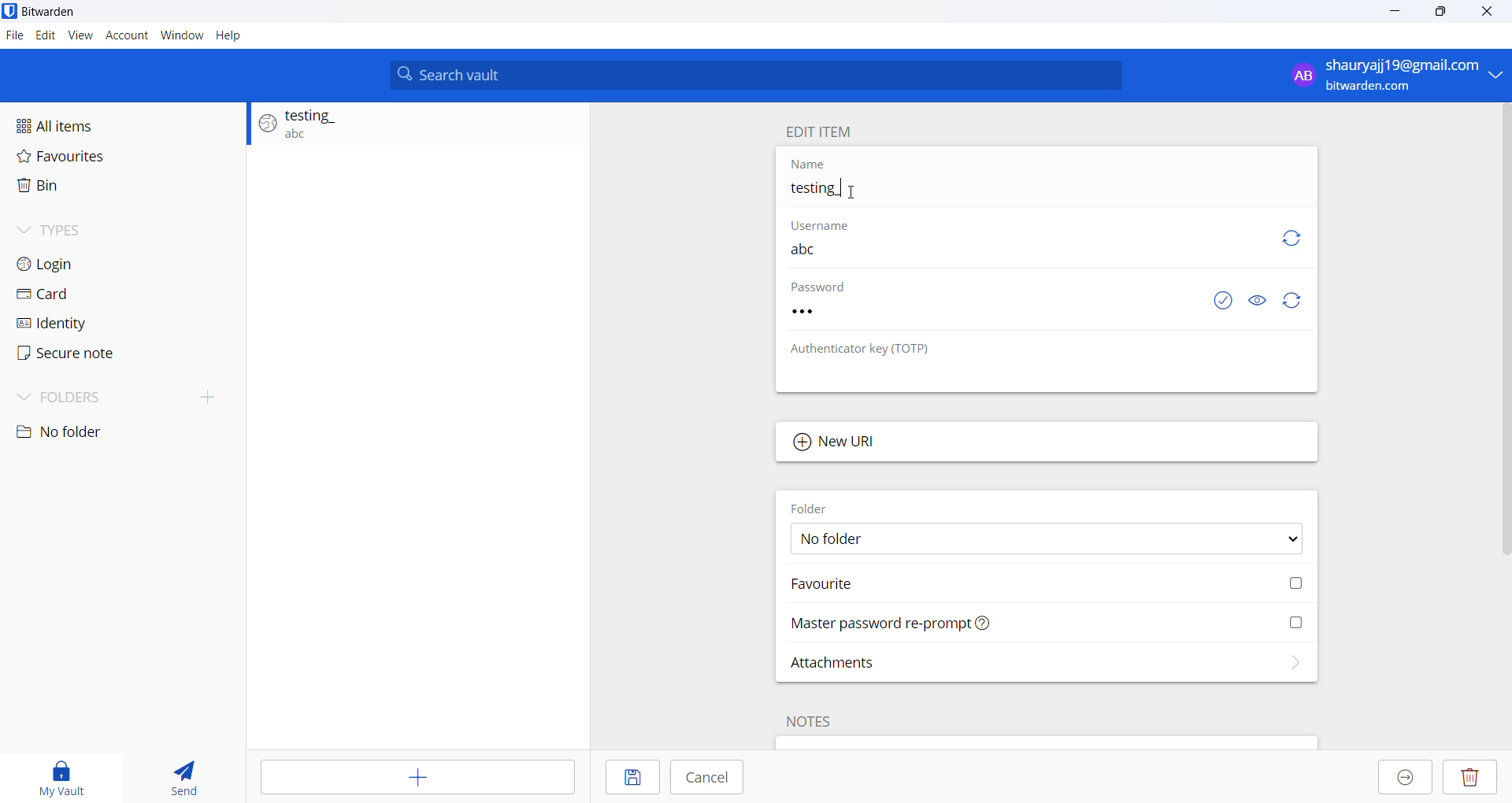  What do you see at coordinates (1405, 778) in the screenshot?
I see `Move to organization` at bounding box center [1405, 778].